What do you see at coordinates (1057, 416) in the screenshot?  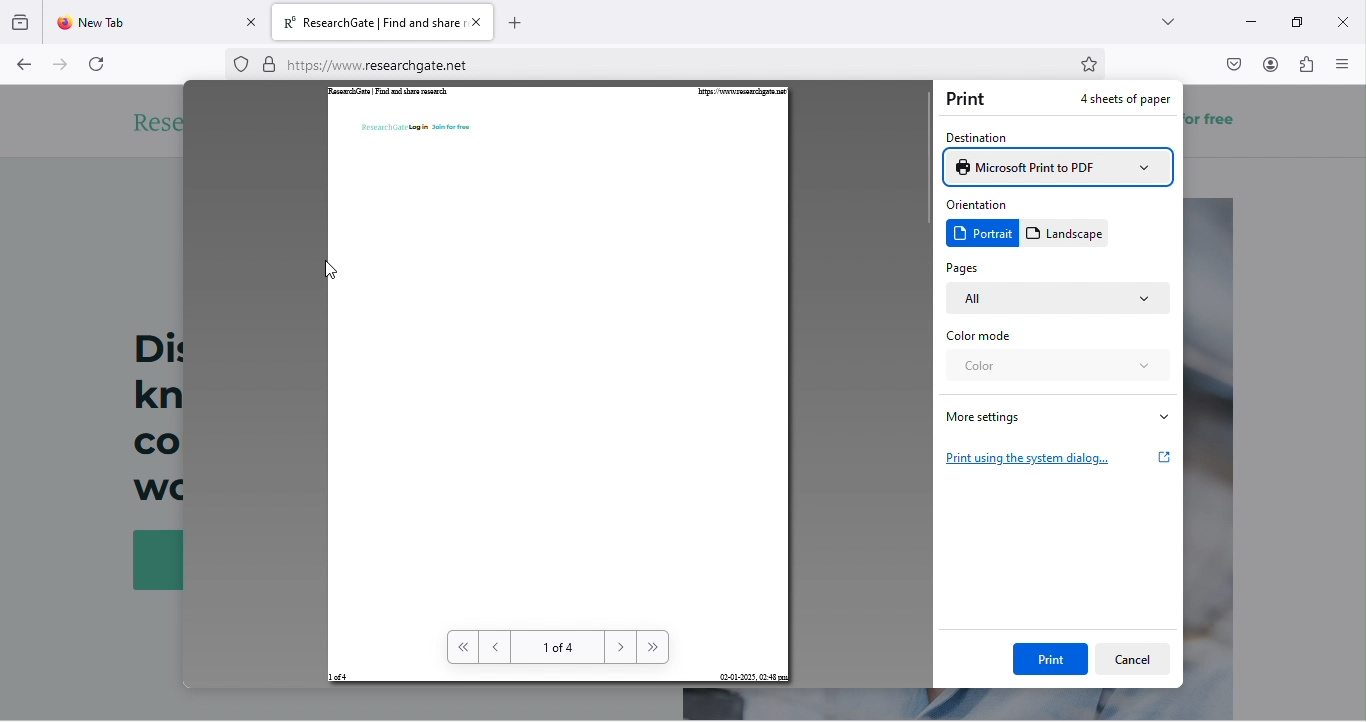 I see `more settings` at bounding box center [1057, 416].